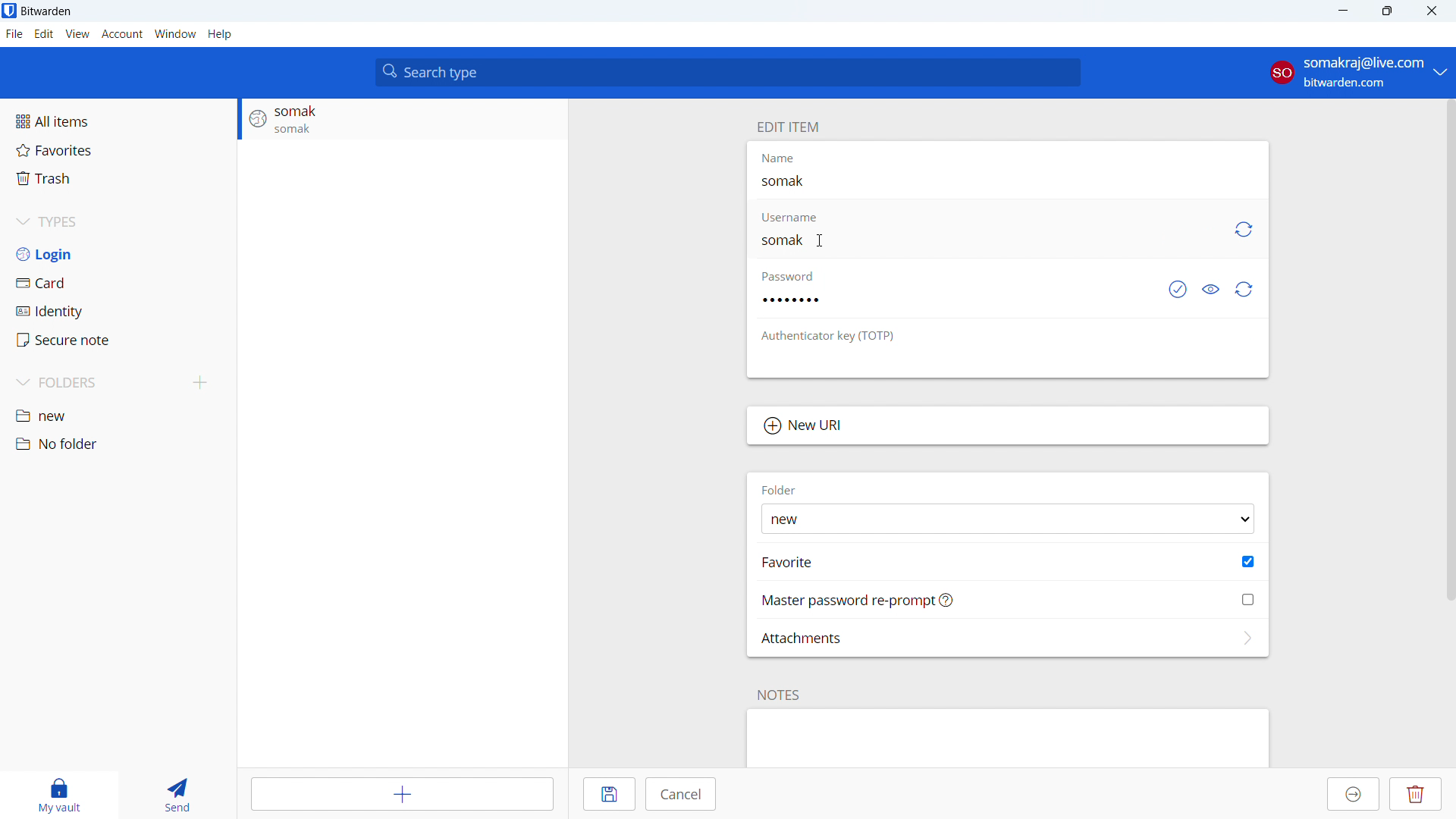 The width and height of the screenshot is (1456, 819). What do you see at coordinates (118, 311) in the screenshot?
I see `identity` at bounding box center [118, 311].